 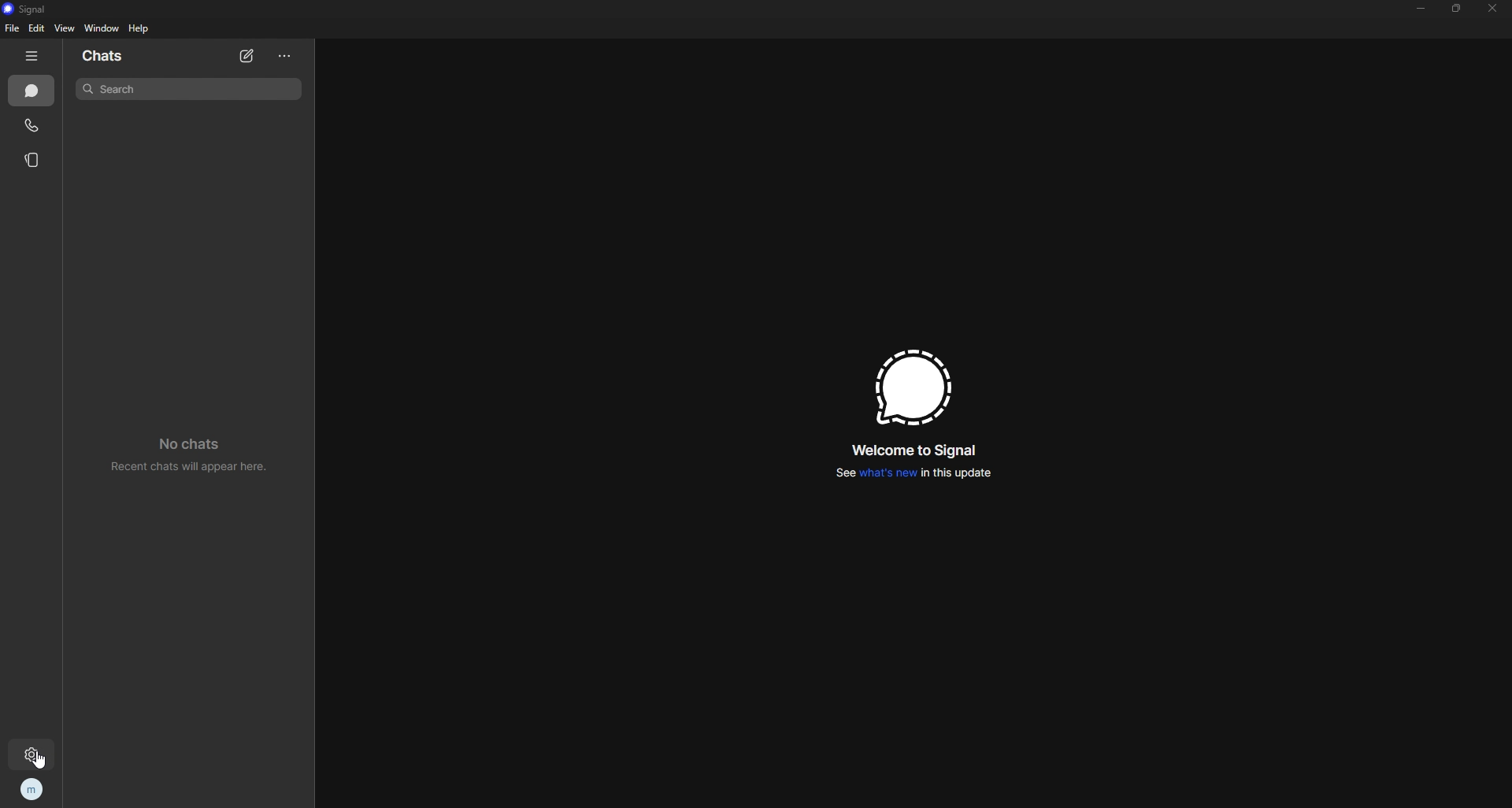 What do you see at coordinates (30, 790) in the screenshot?
I see `profile` at bounding box center [30, 790].